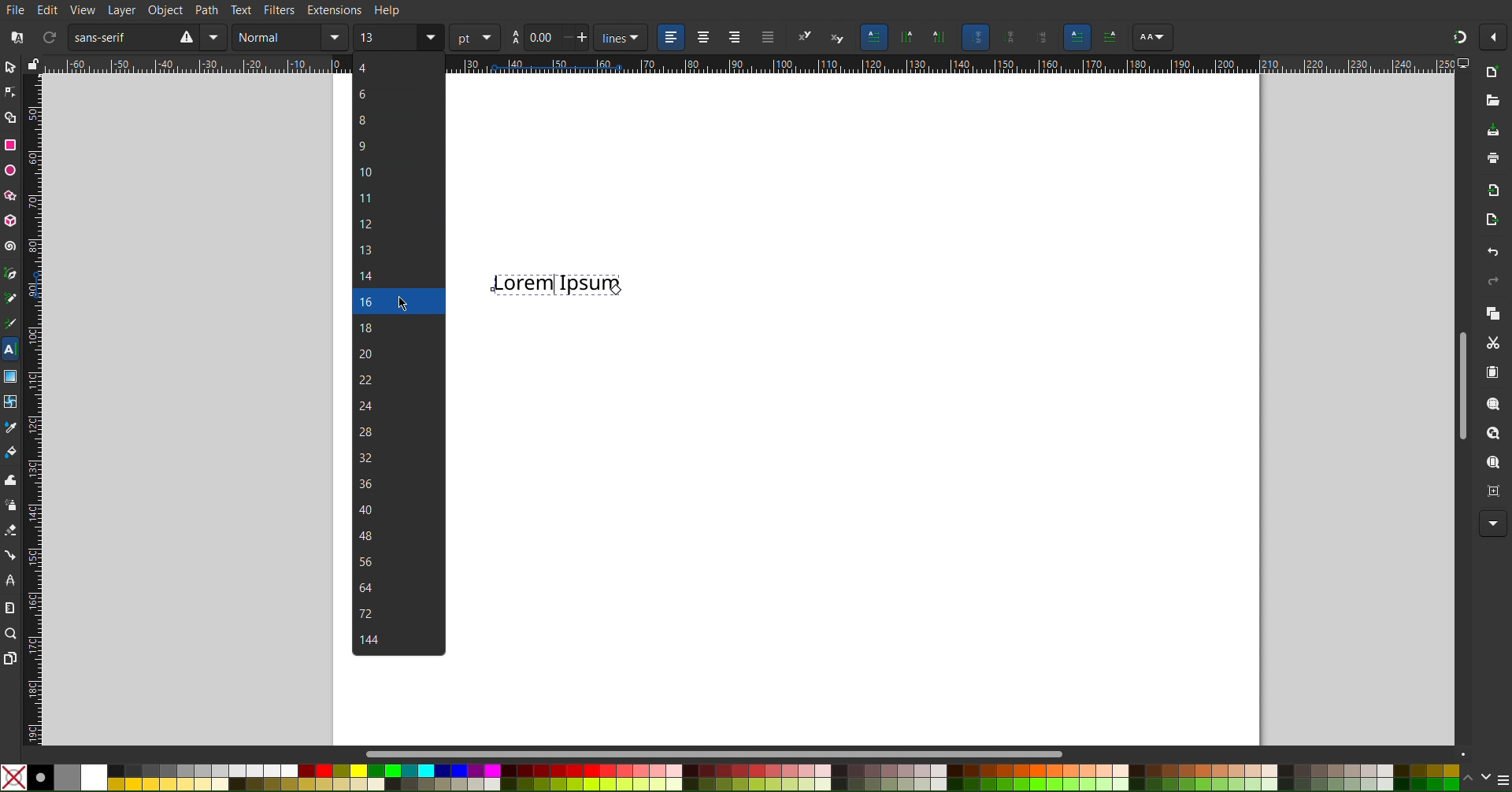 This screenshot has height=792, width=1512. Describe the element at coordinates (1153, 38) in the screenshot. I see `` at that location.